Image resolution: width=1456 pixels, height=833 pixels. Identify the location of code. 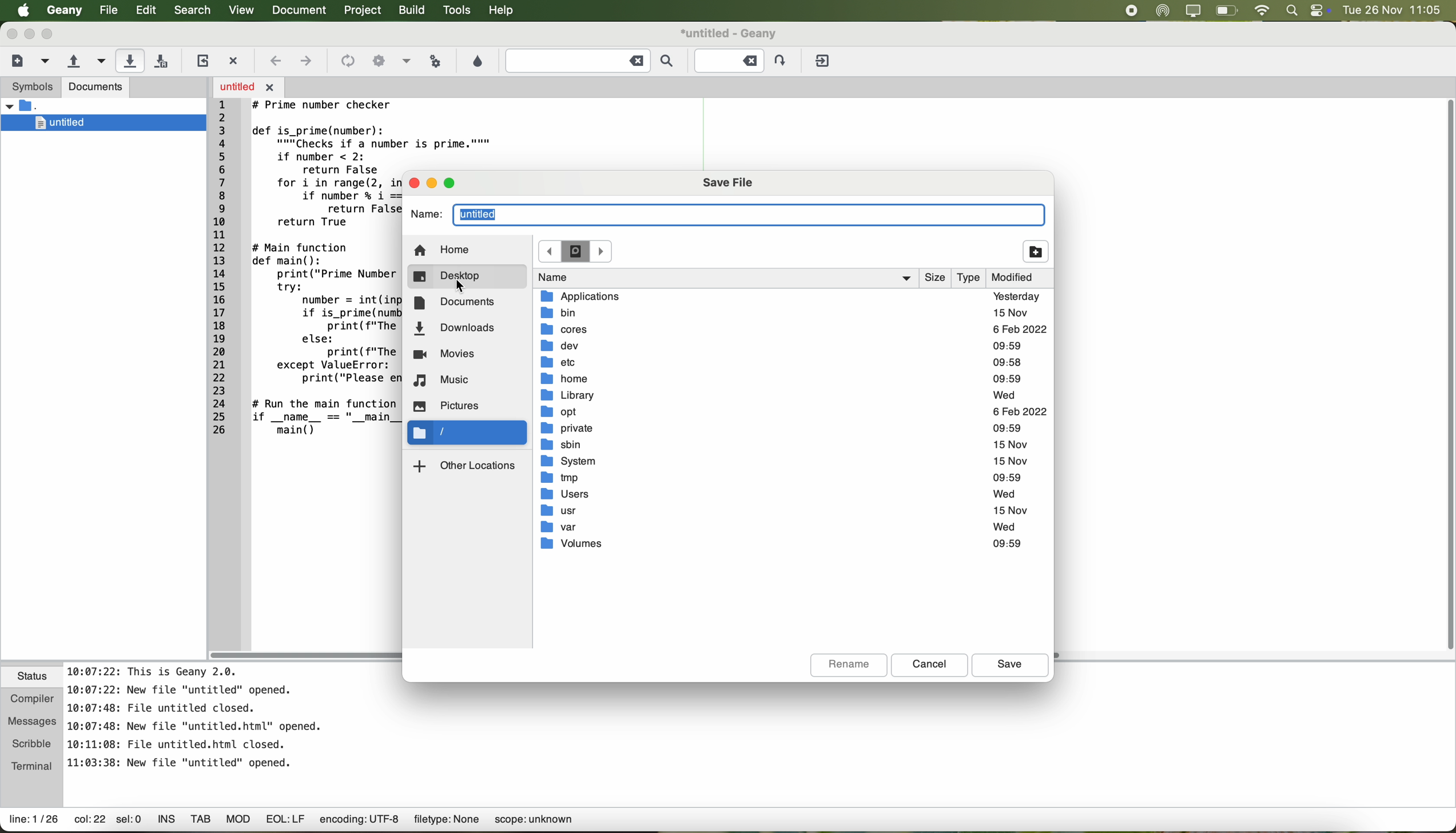
(457, 143).